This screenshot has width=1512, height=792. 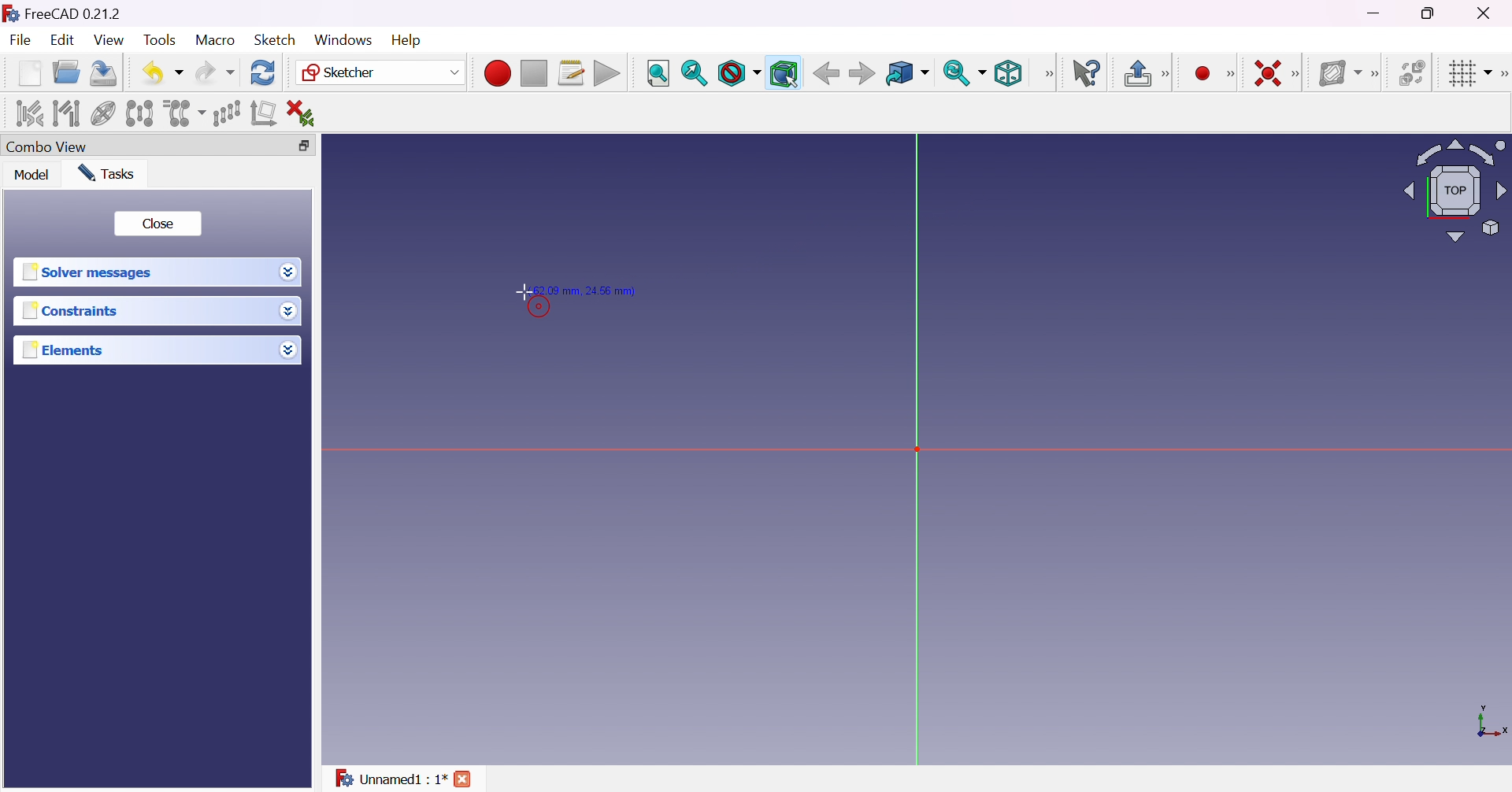 I want to click on Toggle grid, so click(x=1468, y=72).